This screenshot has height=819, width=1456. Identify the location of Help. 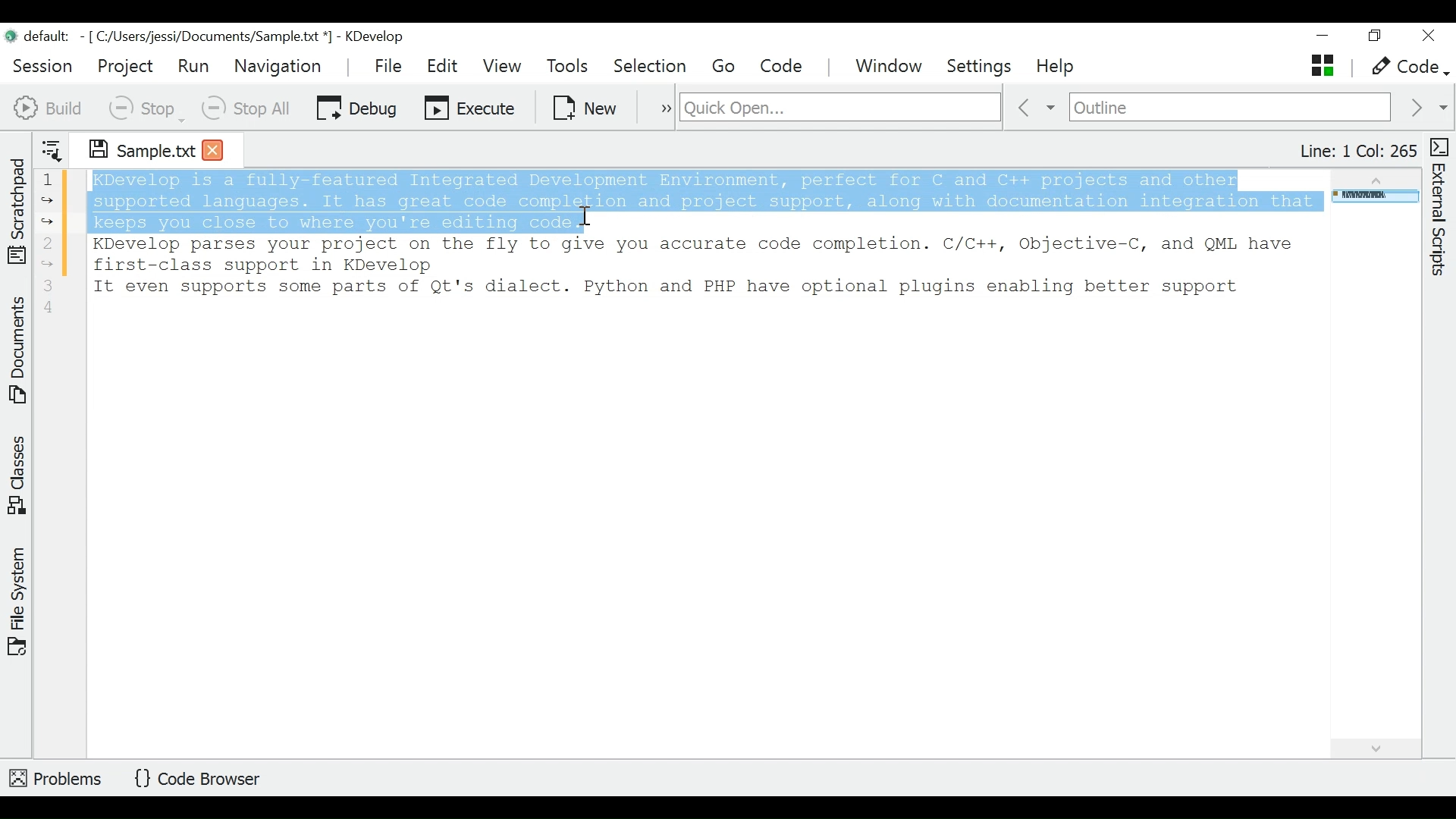
(1057, 67).